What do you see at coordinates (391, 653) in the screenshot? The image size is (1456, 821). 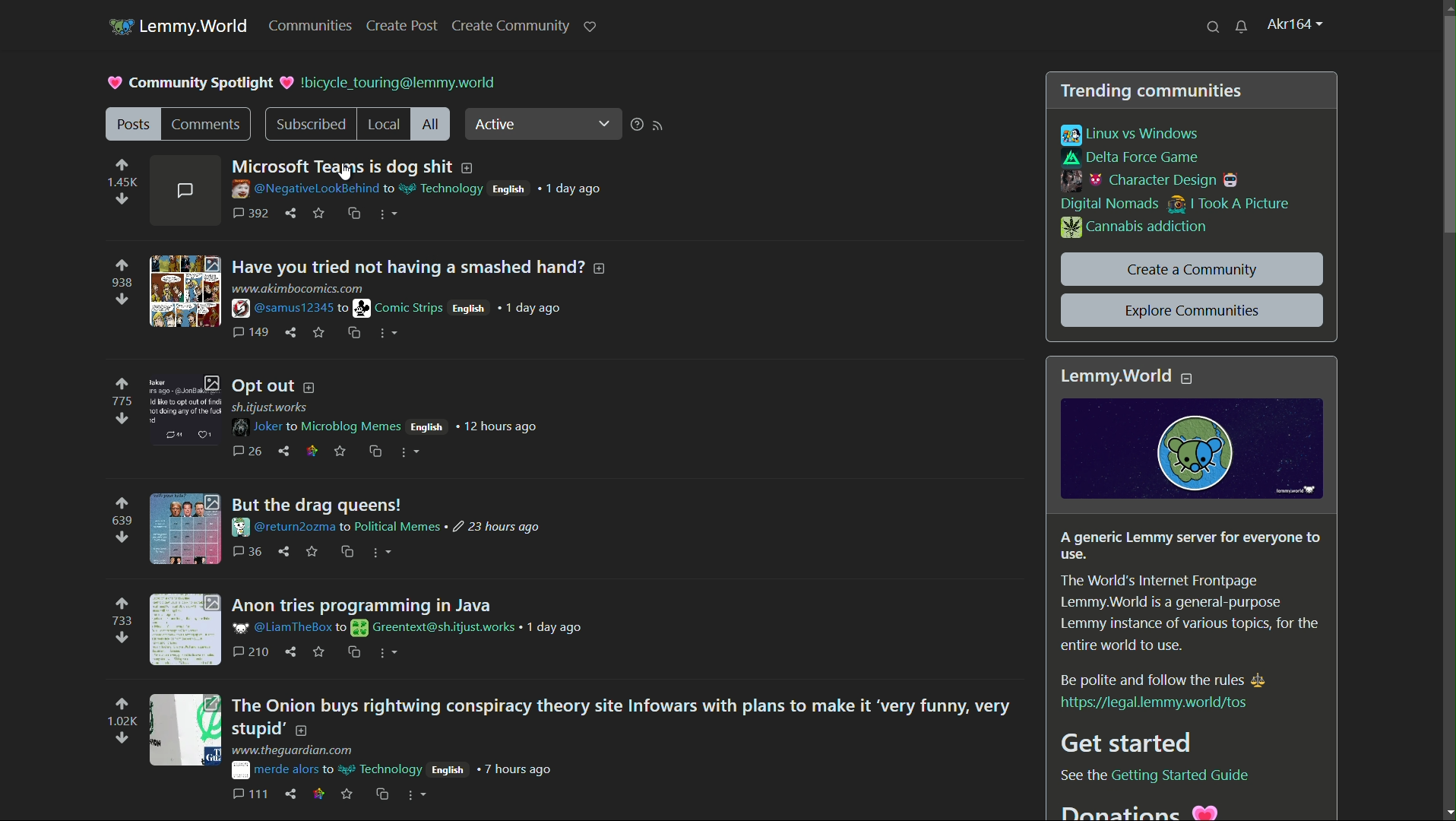 I see `more` at bounding box center [391, 653].